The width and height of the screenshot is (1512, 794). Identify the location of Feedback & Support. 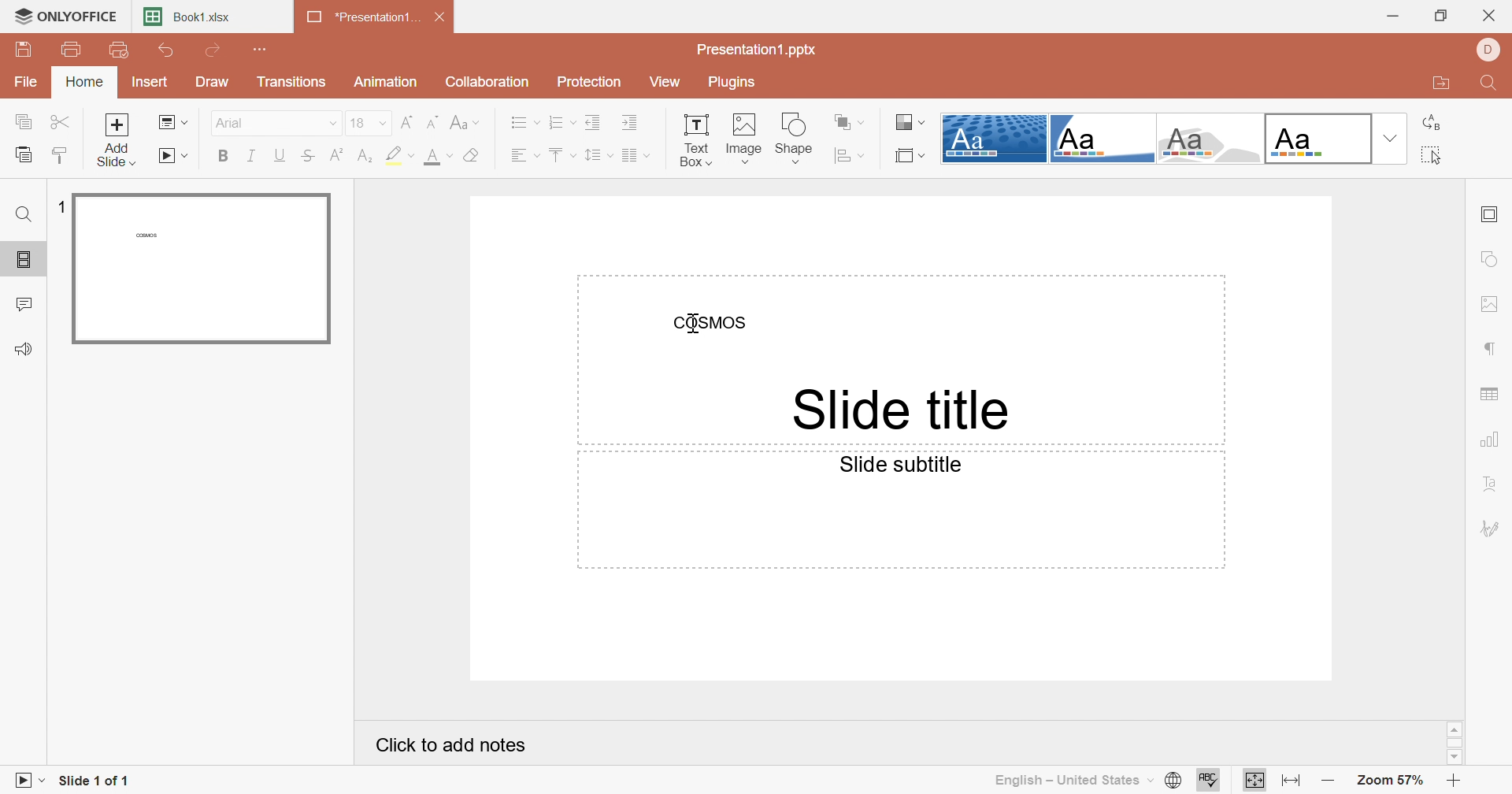
(27, 350).